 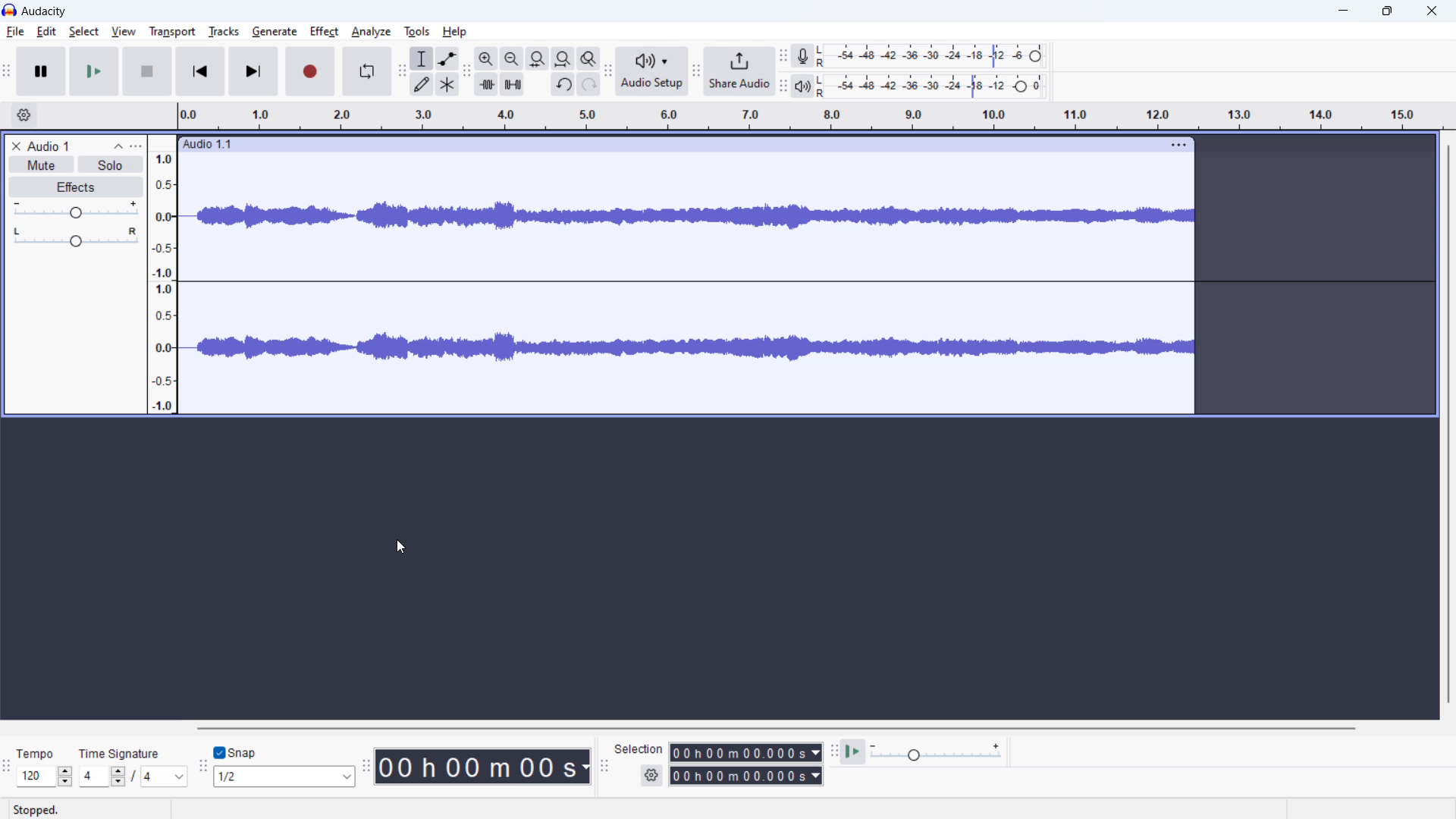 What do you see at coordinates (162, 275) in the screenshot?
I see `amplitude` at bounding box center [162, 275].